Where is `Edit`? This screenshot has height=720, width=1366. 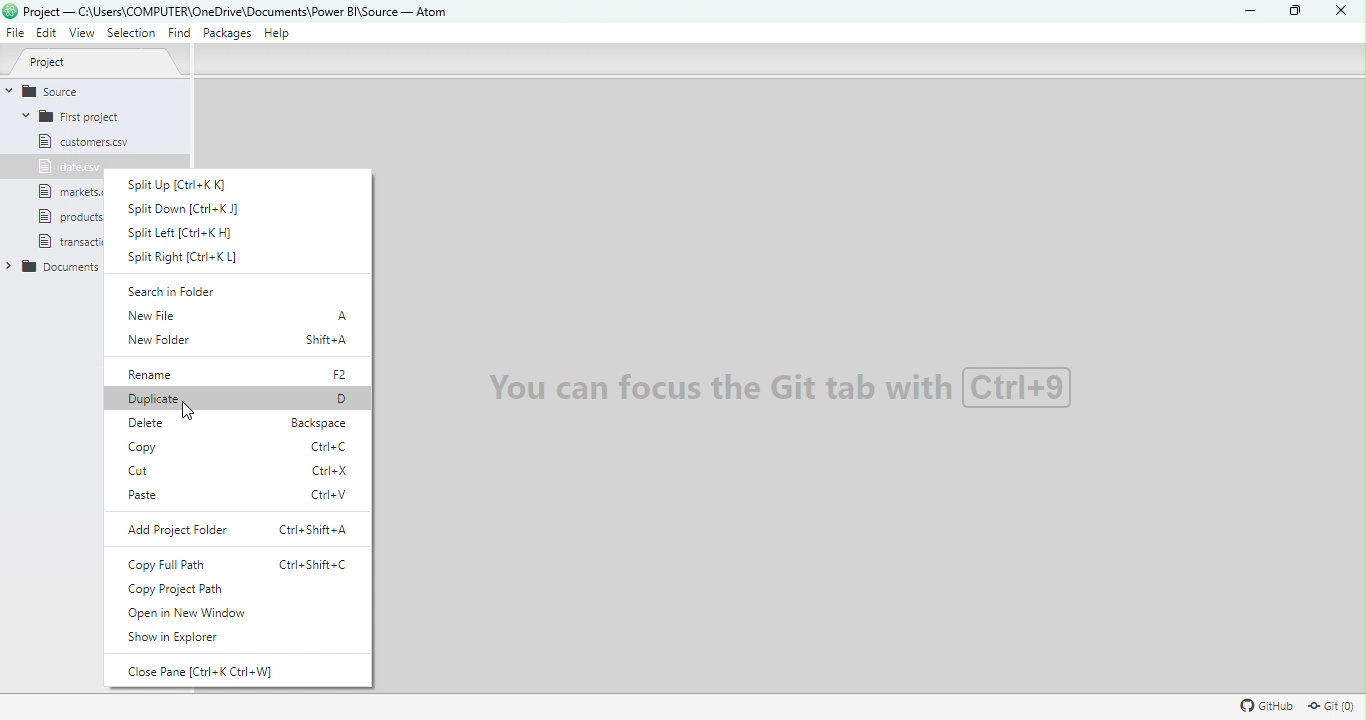 Edit is located at coordinates (47, 34).